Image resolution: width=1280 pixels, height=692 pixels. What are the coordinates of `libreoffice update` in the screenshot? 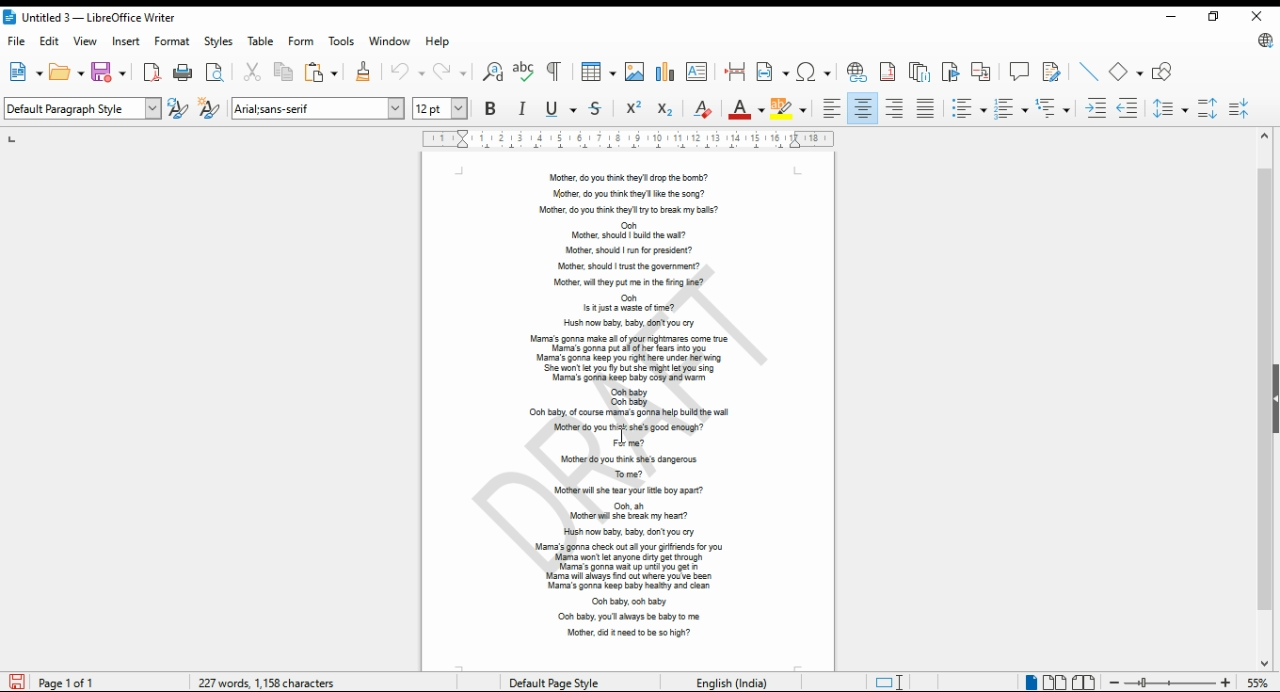 It's located at (1262, 41).